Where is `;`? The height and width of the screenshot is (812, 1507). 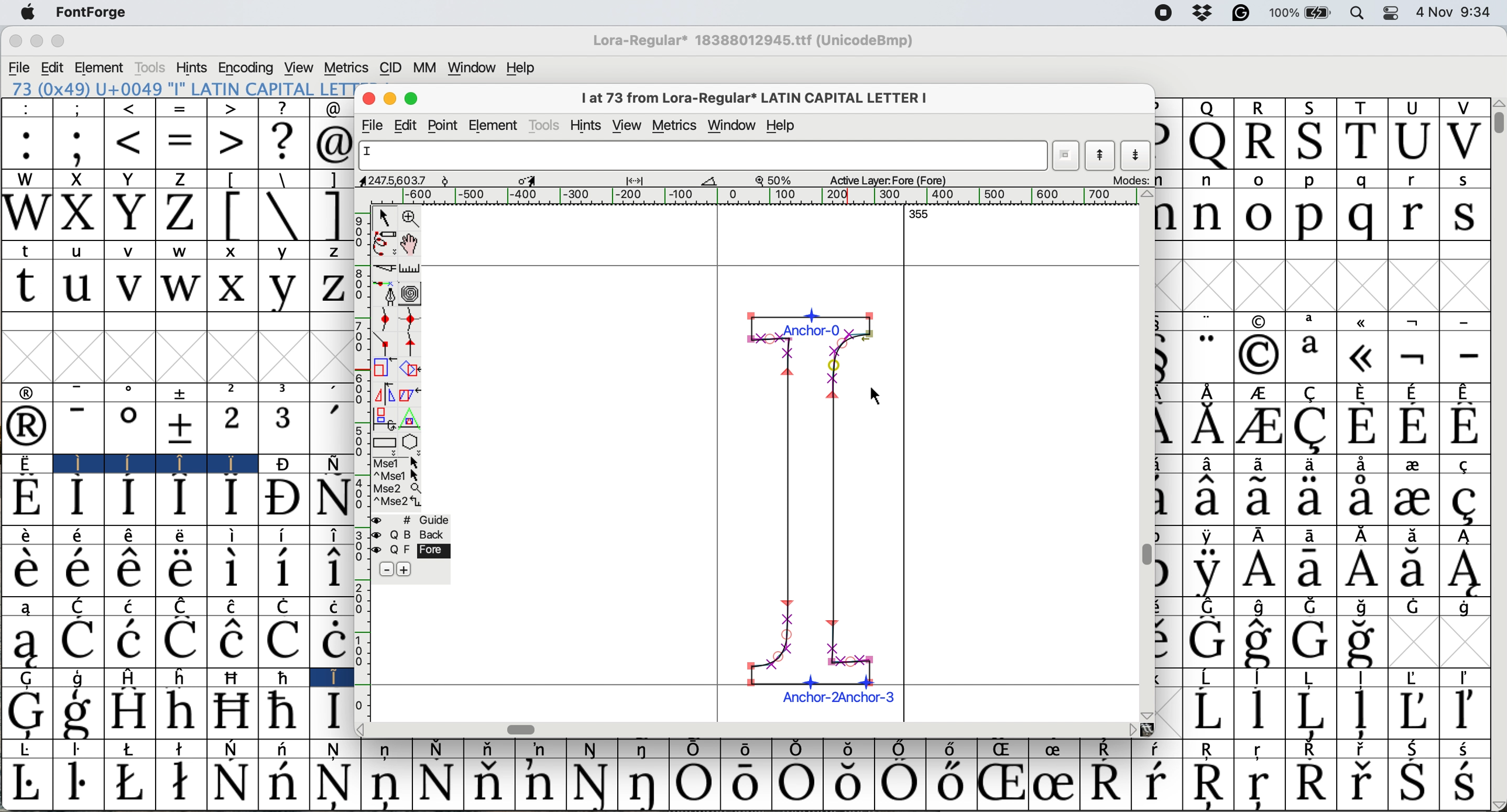 ; is located at coordinates (78, 146).